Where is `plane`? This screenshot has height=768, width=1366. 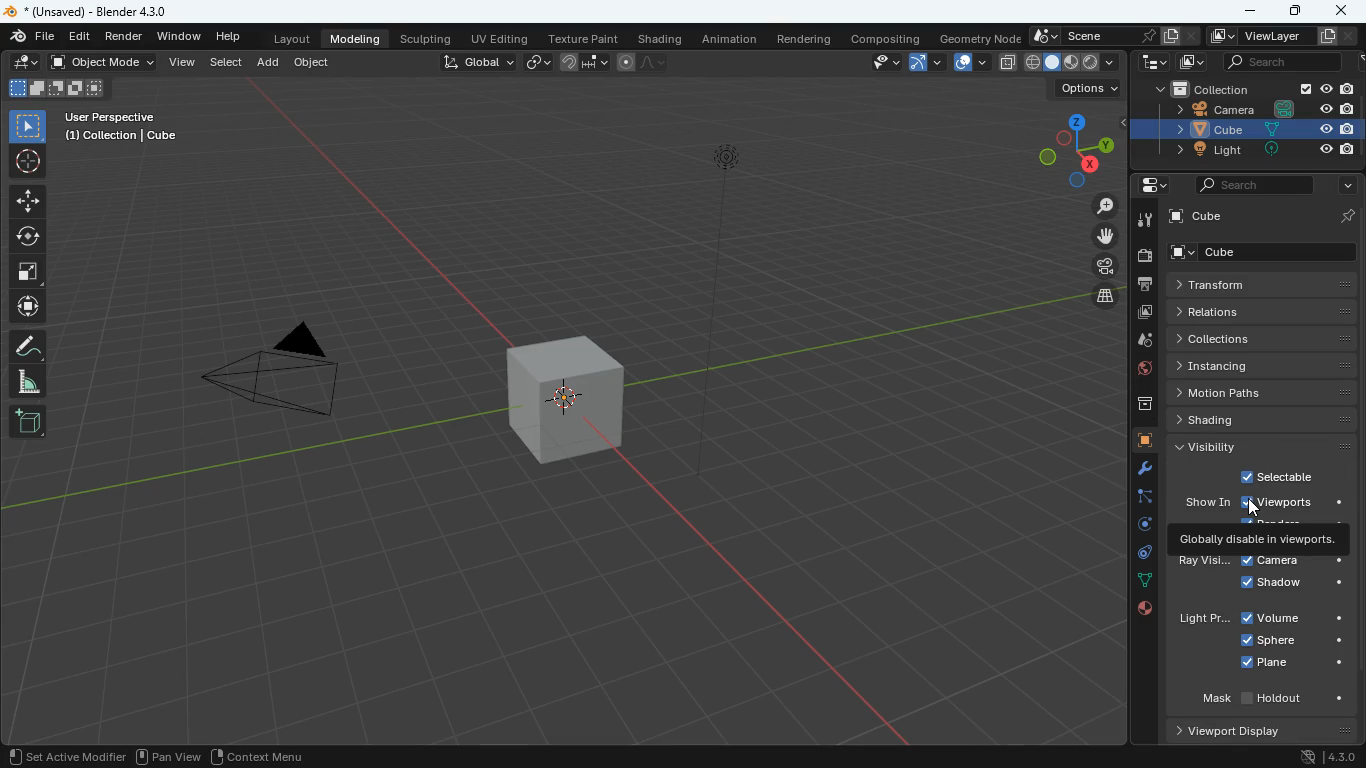 plane is located at coordinates (1295, 665).